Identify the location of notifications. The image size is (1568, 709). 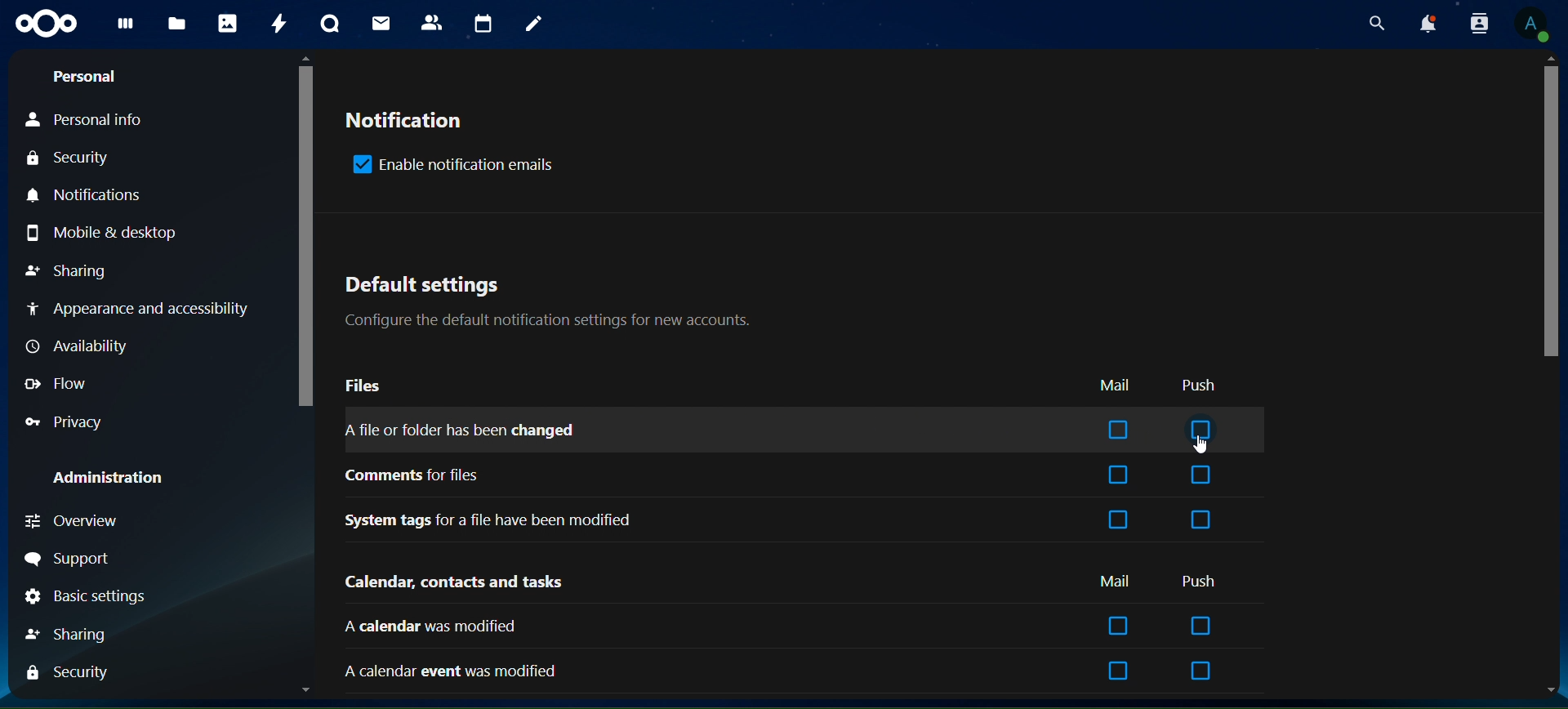
(83, 197).